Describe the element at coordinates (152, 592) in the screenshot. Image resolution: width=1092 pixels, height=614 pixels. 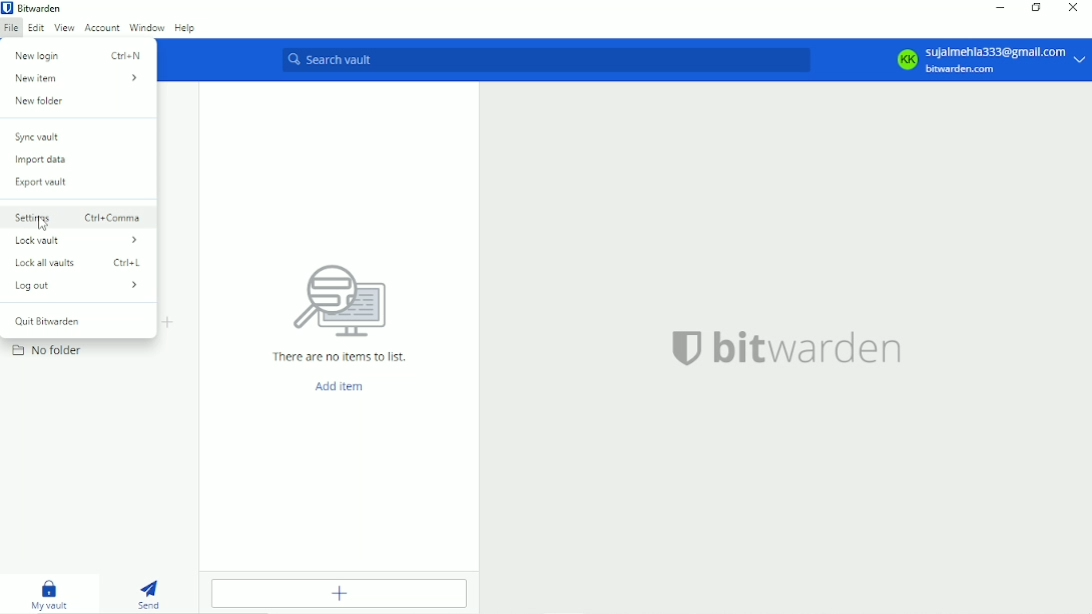
I see `Send` at that location.